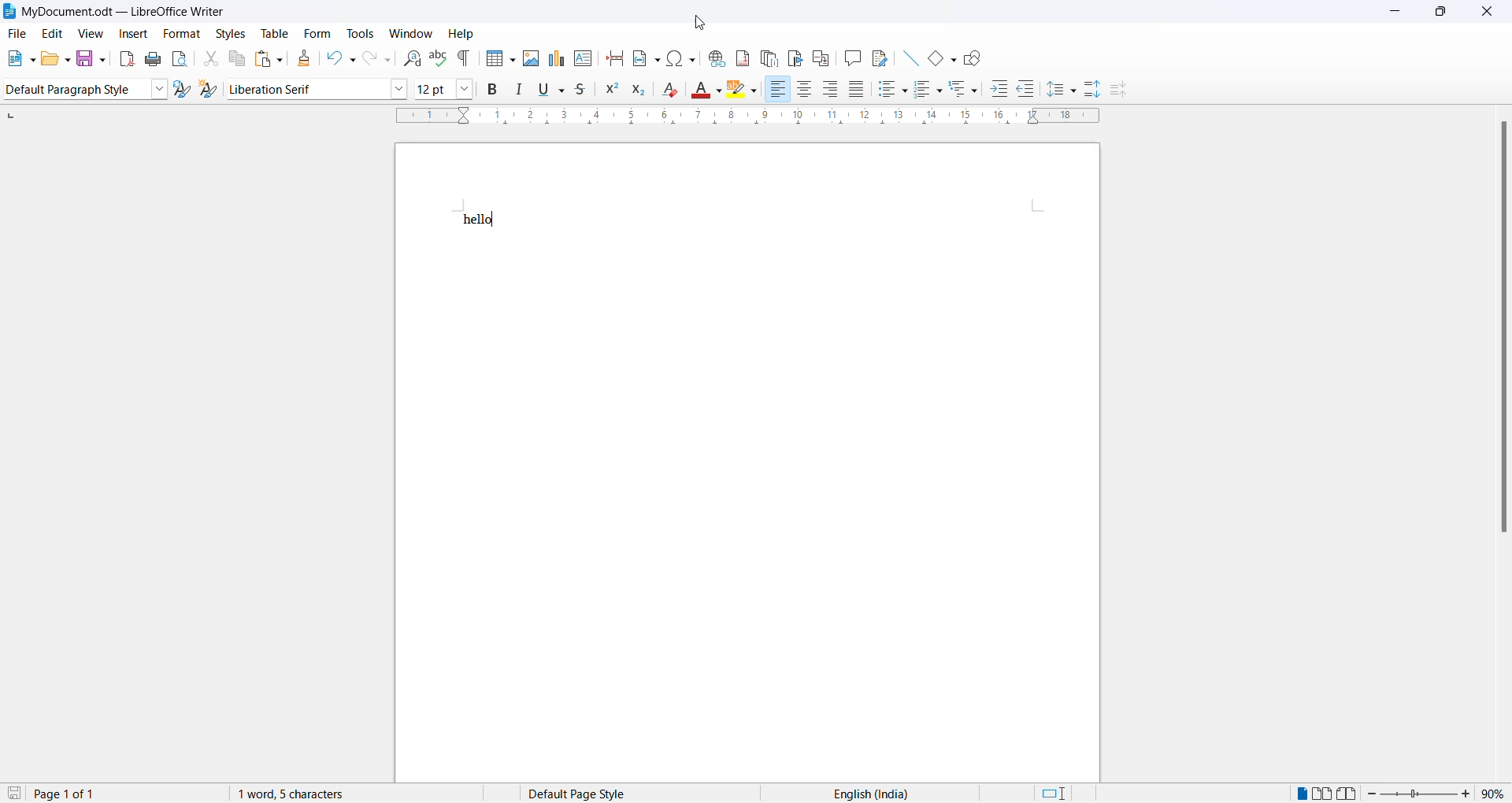  Describe the element at coordinates (644, 60) in the screenshot. I see `Insert field` at that location.